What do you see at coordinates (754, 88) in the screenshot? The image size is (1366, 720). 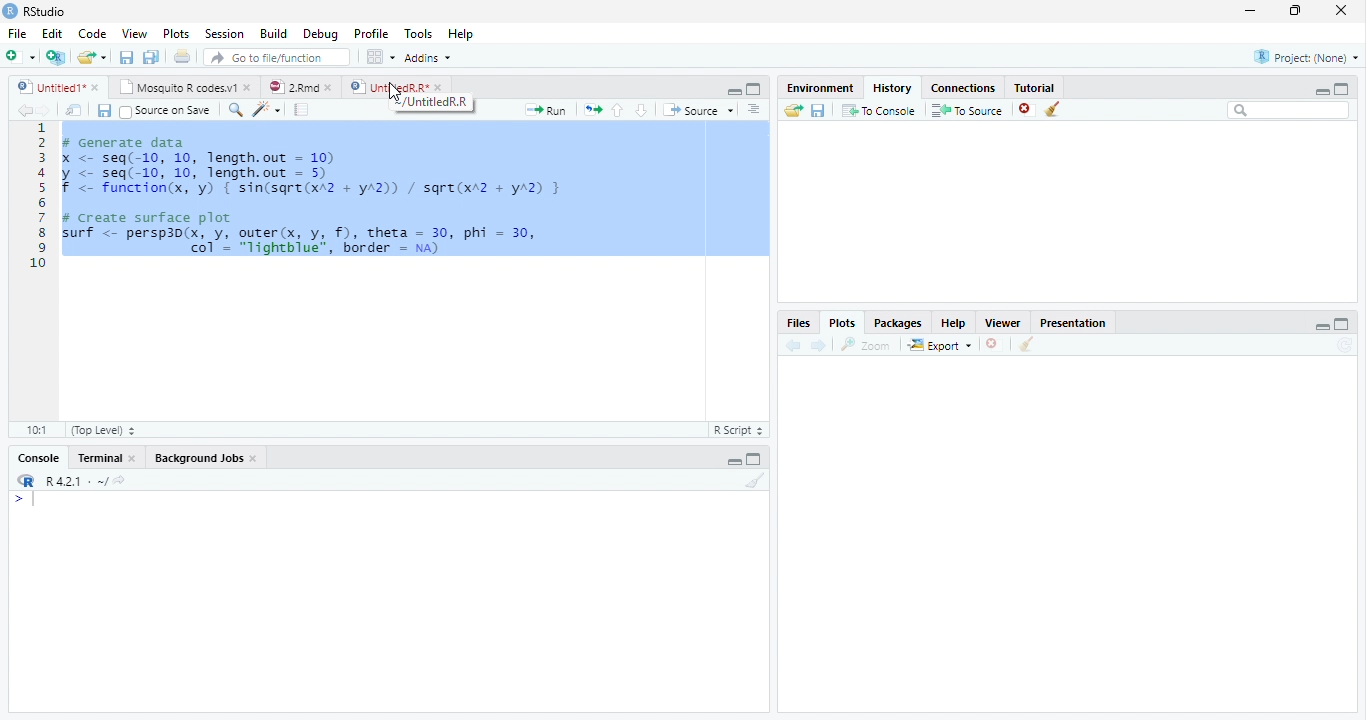 I see `Maximixe` at bounding box center [754, 88].